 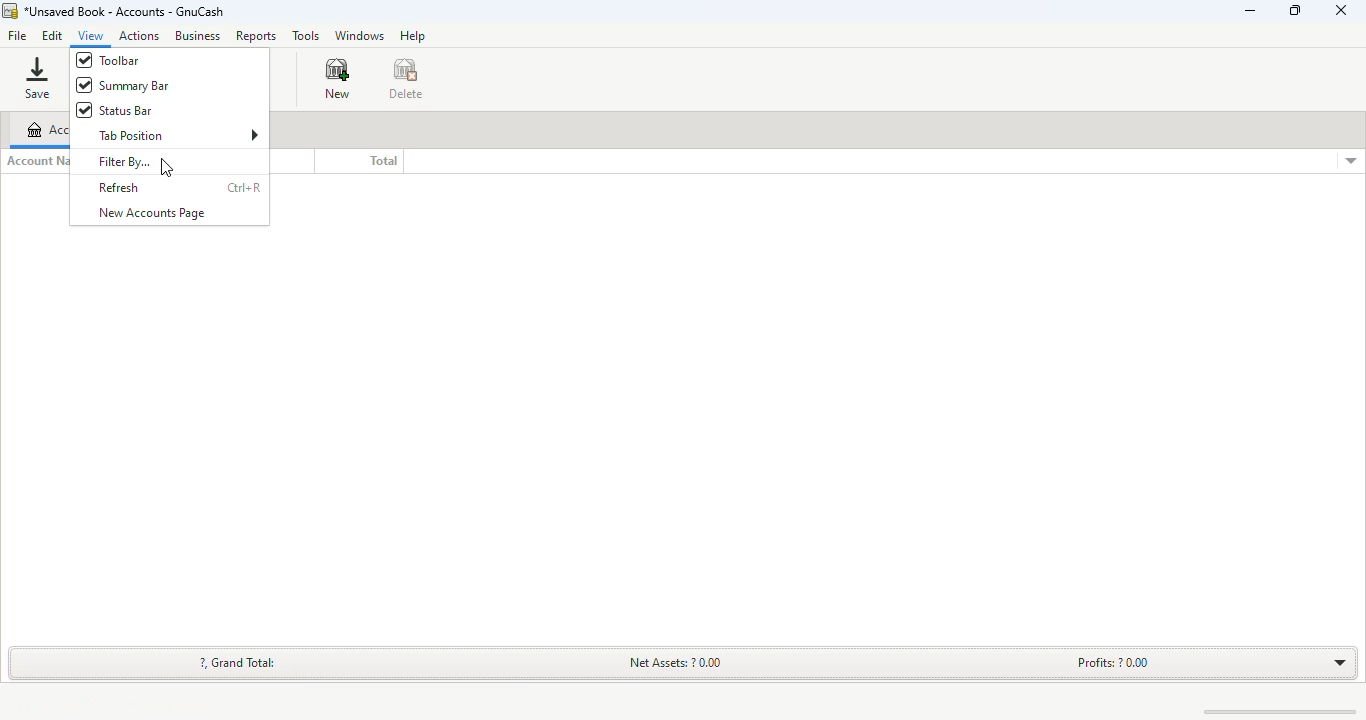 What do you see at coordinates (1341, 11) in the screenshot?
I see `close` at bounding box center [1341, 11].